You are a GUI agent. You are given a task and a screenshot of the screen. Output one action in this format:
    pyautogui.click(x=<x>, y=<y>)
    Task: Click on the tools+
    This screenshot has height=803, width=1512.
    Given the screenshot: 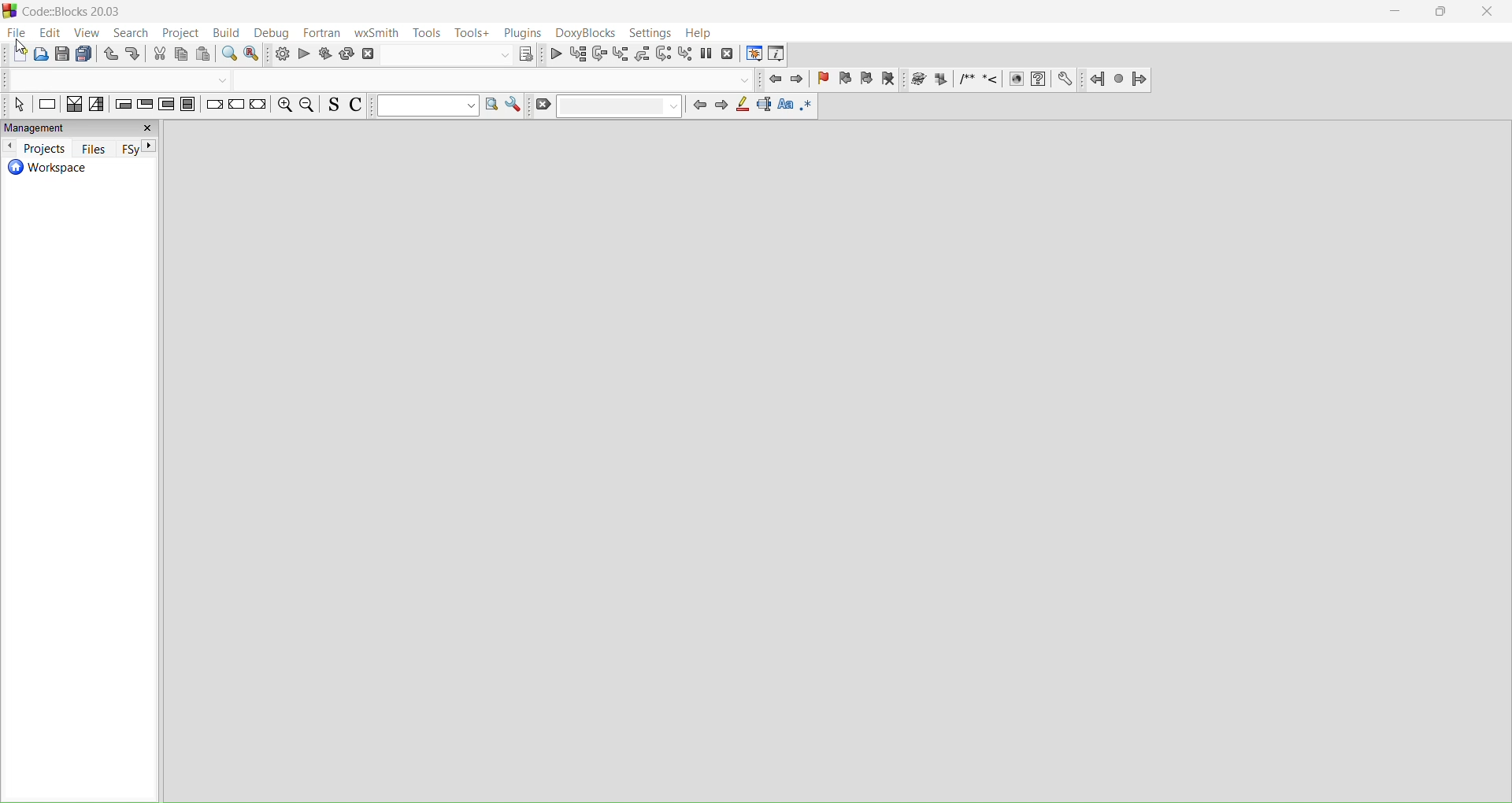 What is the action you would take?
    pyautogui.click(x=472, y=33)
    